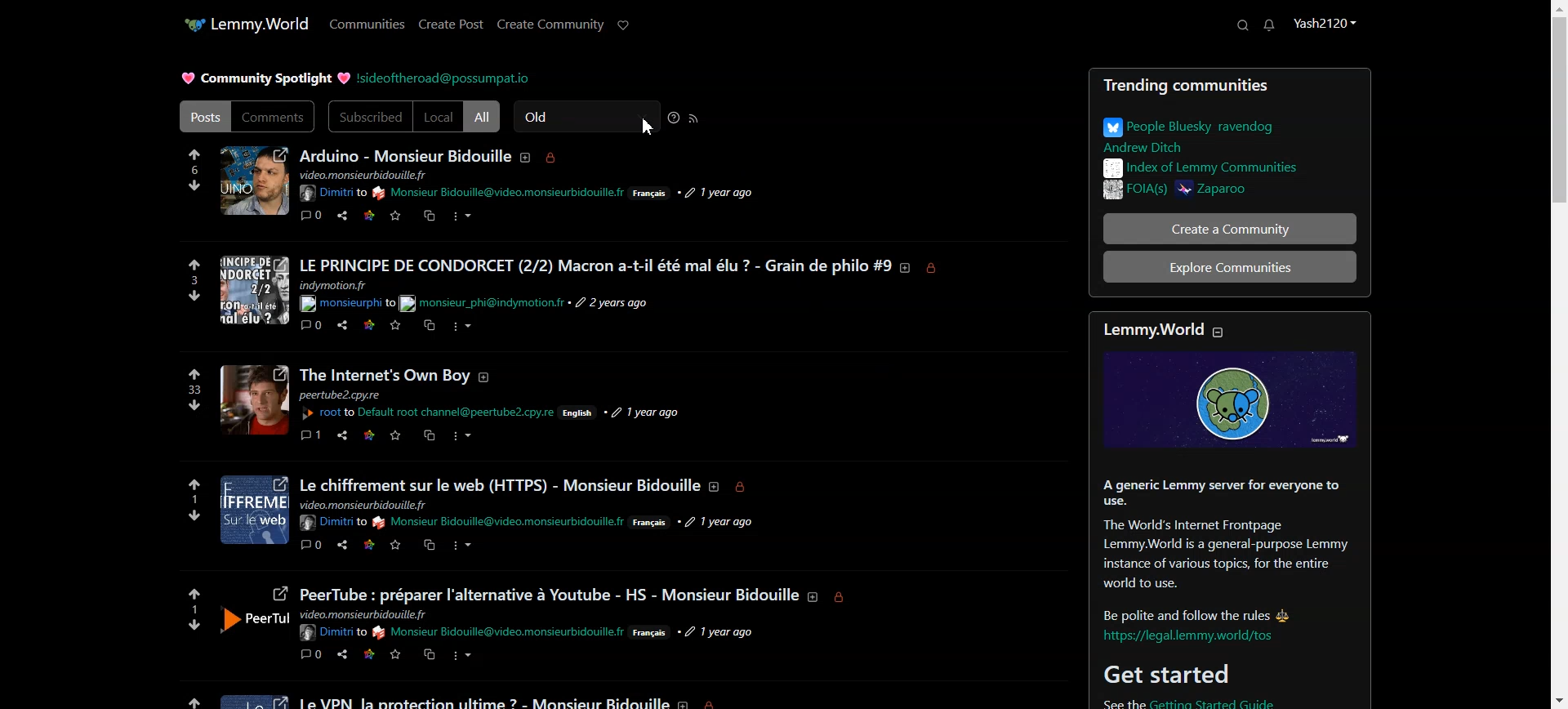 This screenshot has width=1568, height=709. I want to click on more, so click(465, 657).